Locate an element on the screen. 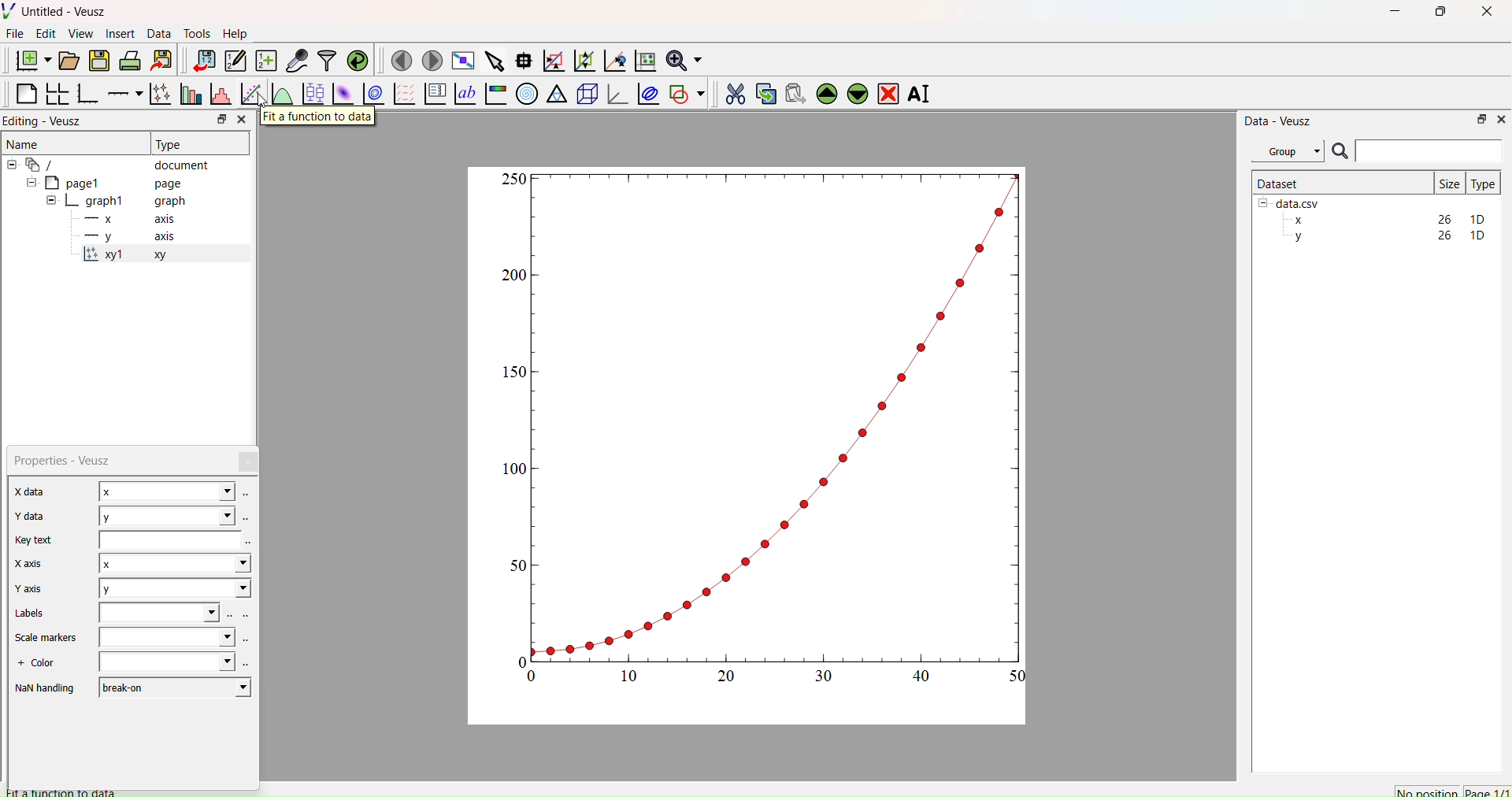 The width and height of the screenshot is (1512, 797). Recenter graph axis is located at coordinates (613, 60).